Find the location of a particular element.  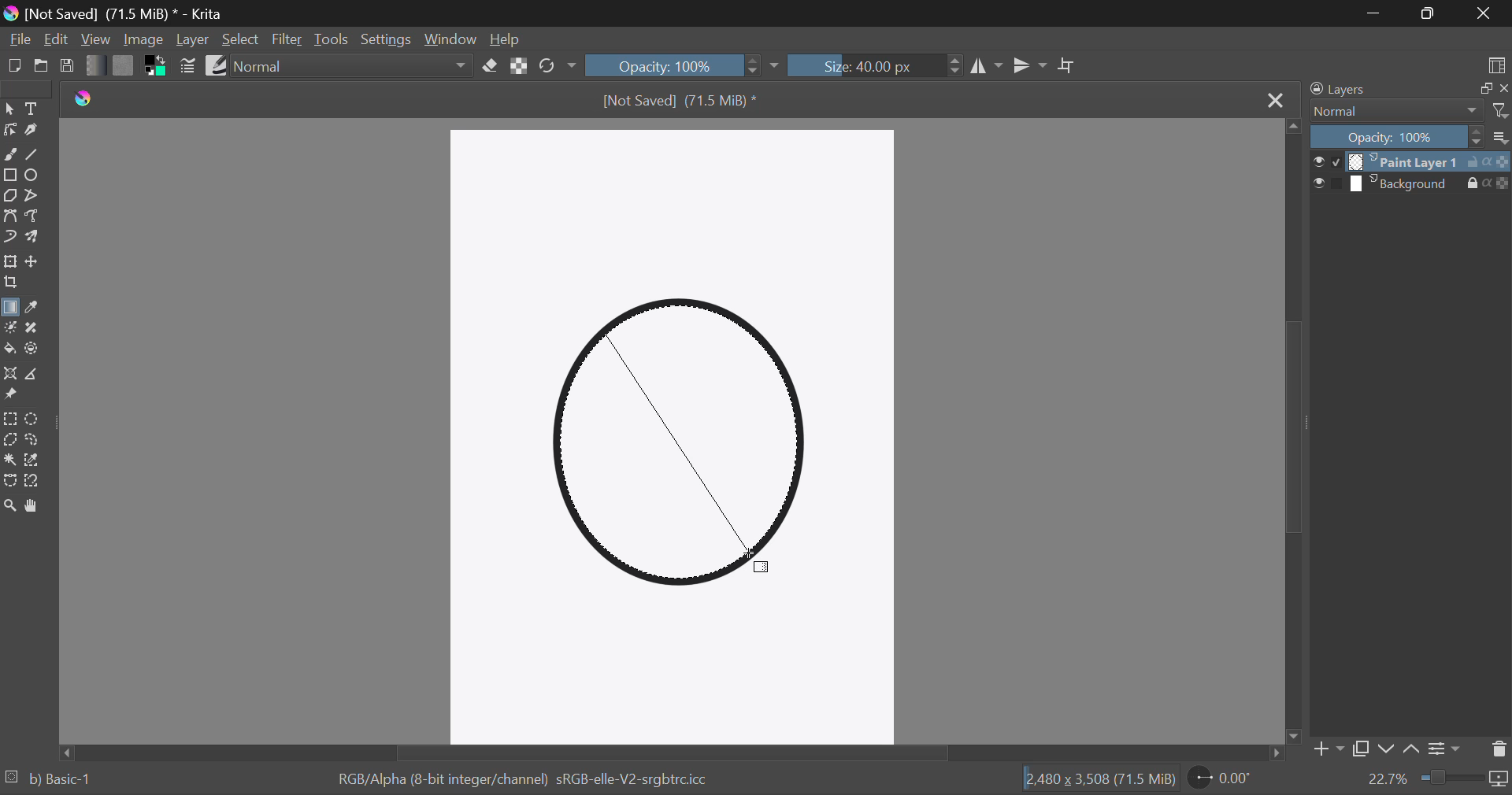

Transform Layer is located at coordinates (11, 263).